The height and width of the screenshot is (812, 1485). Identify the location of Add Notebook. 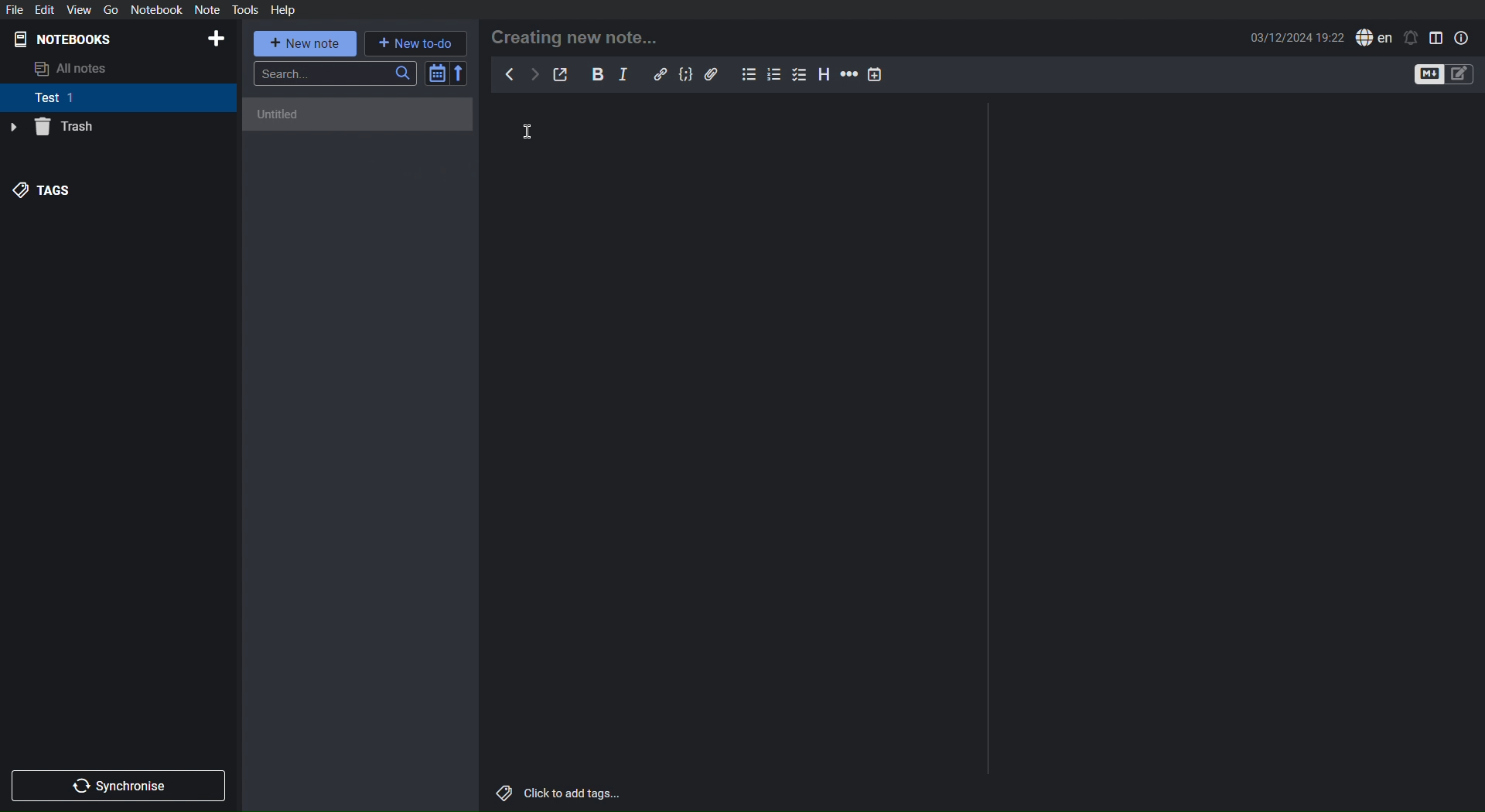
(217, 39).